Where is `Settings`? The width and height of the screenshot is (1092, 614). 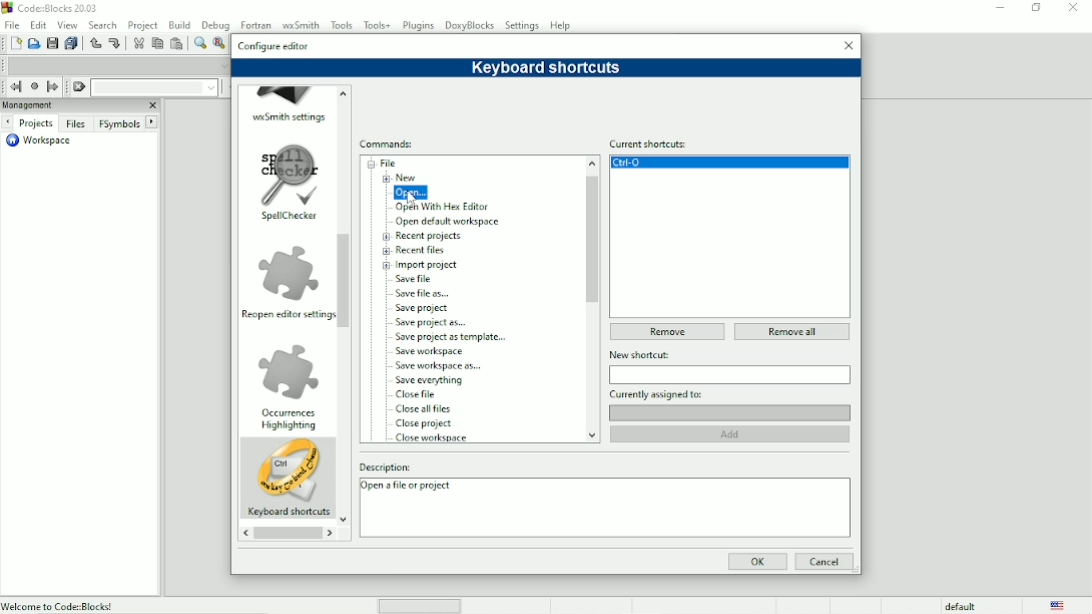 Settings is located at coordinates (523, 25).